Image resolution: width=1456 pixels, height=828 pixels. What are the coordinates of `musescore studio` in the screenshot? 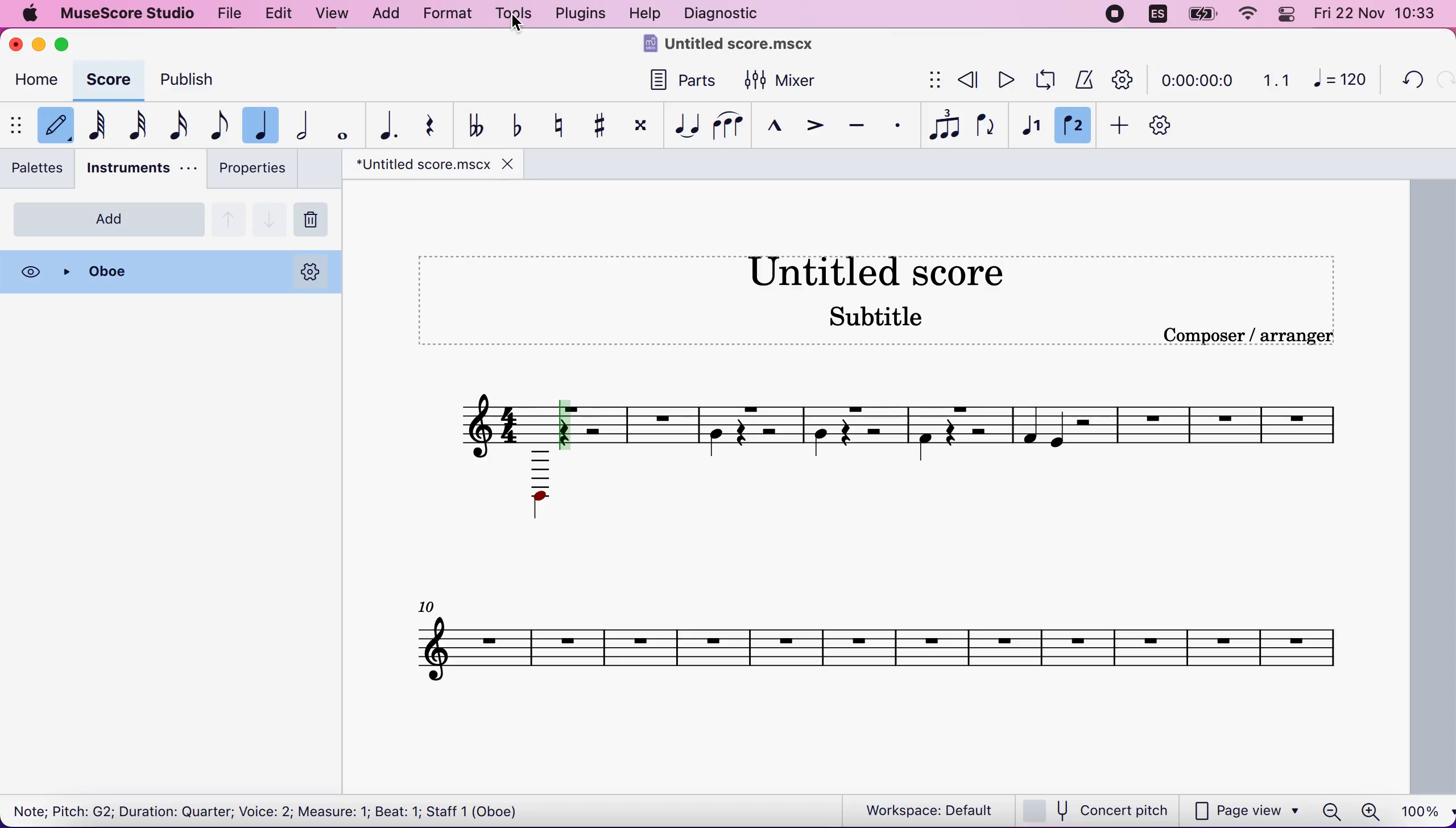 It's located at (135, 13).